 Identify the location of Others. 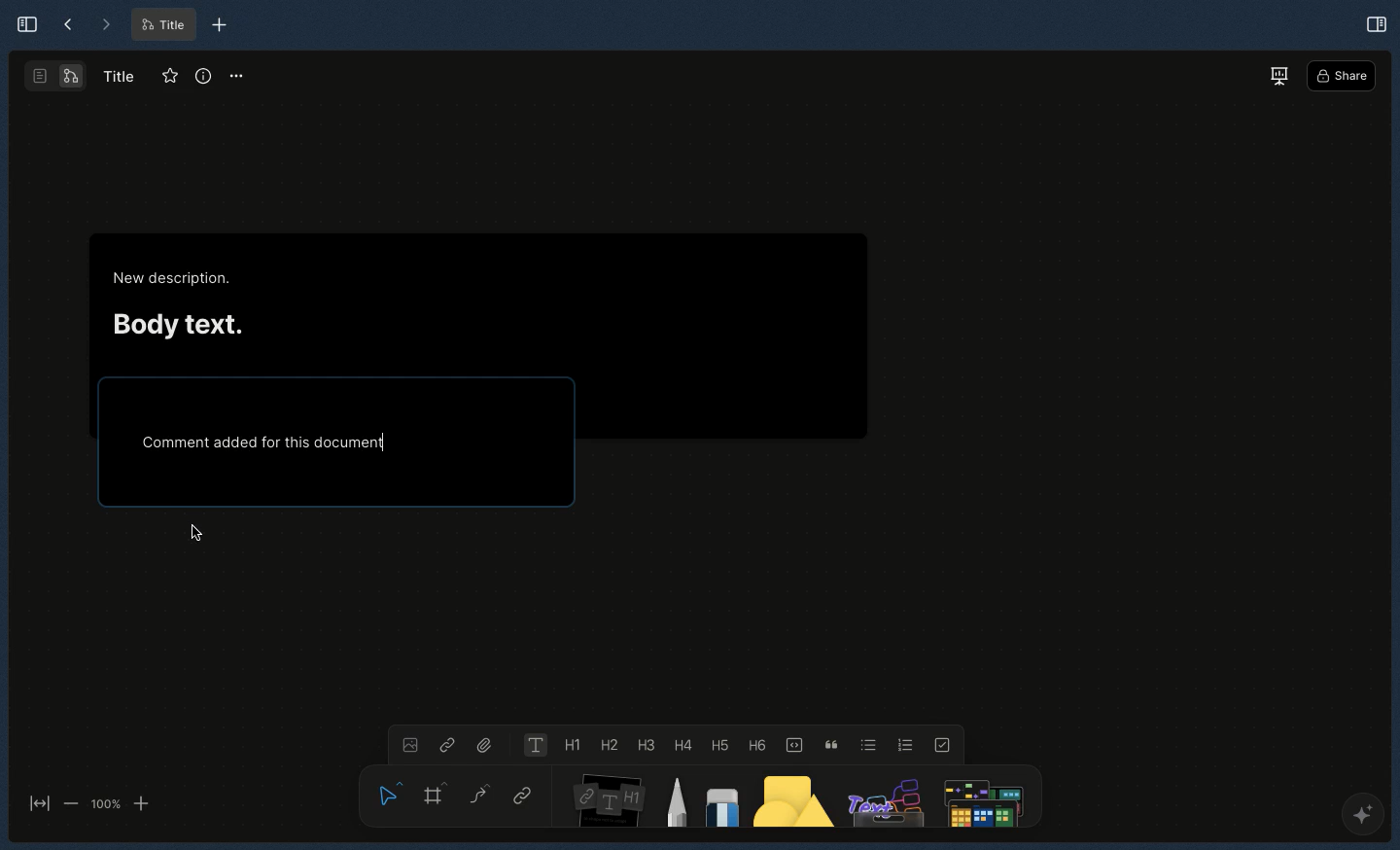
(884, 797).